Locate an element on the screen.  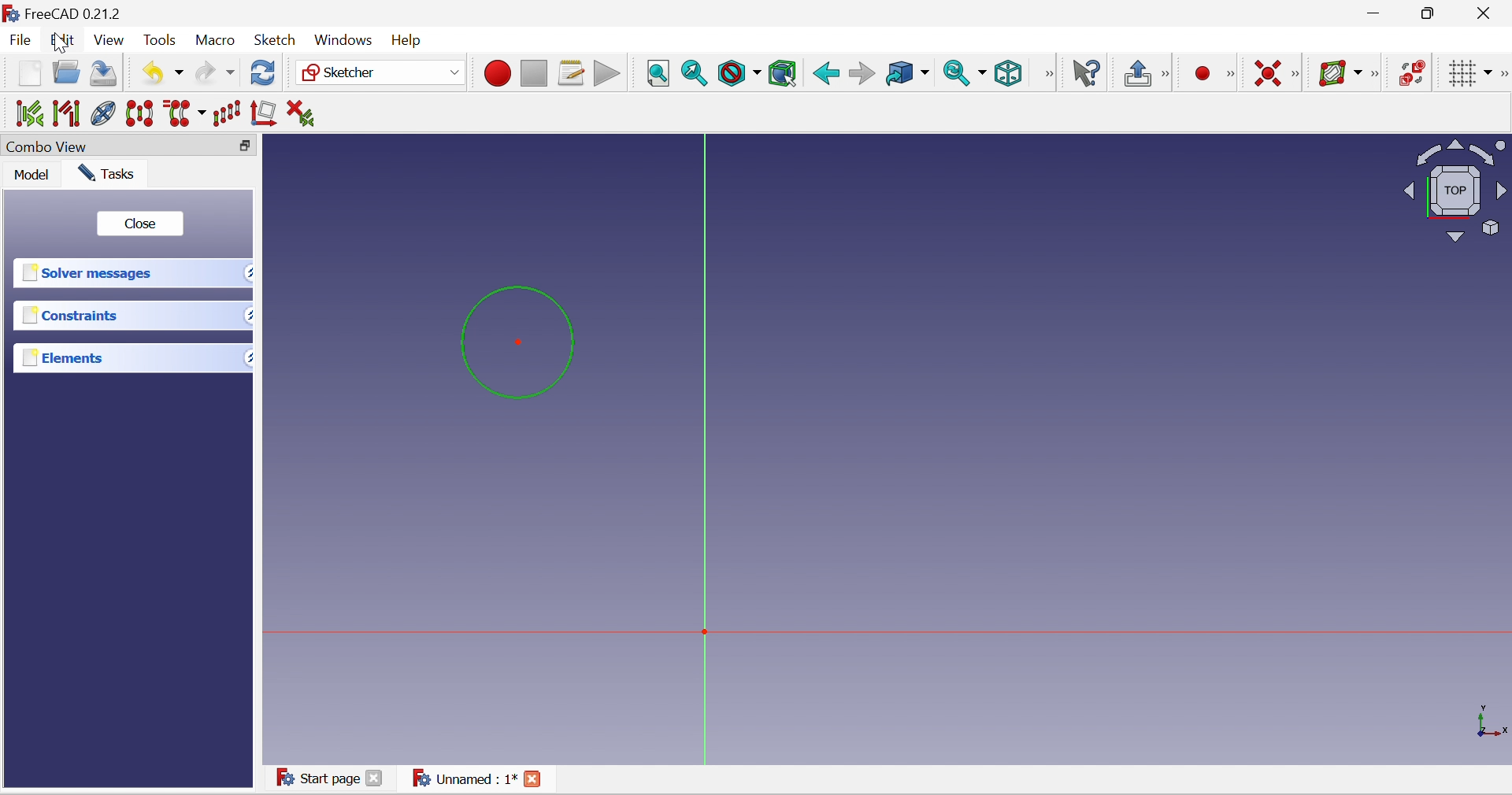
Drop down is located at coordinates (248, 357).